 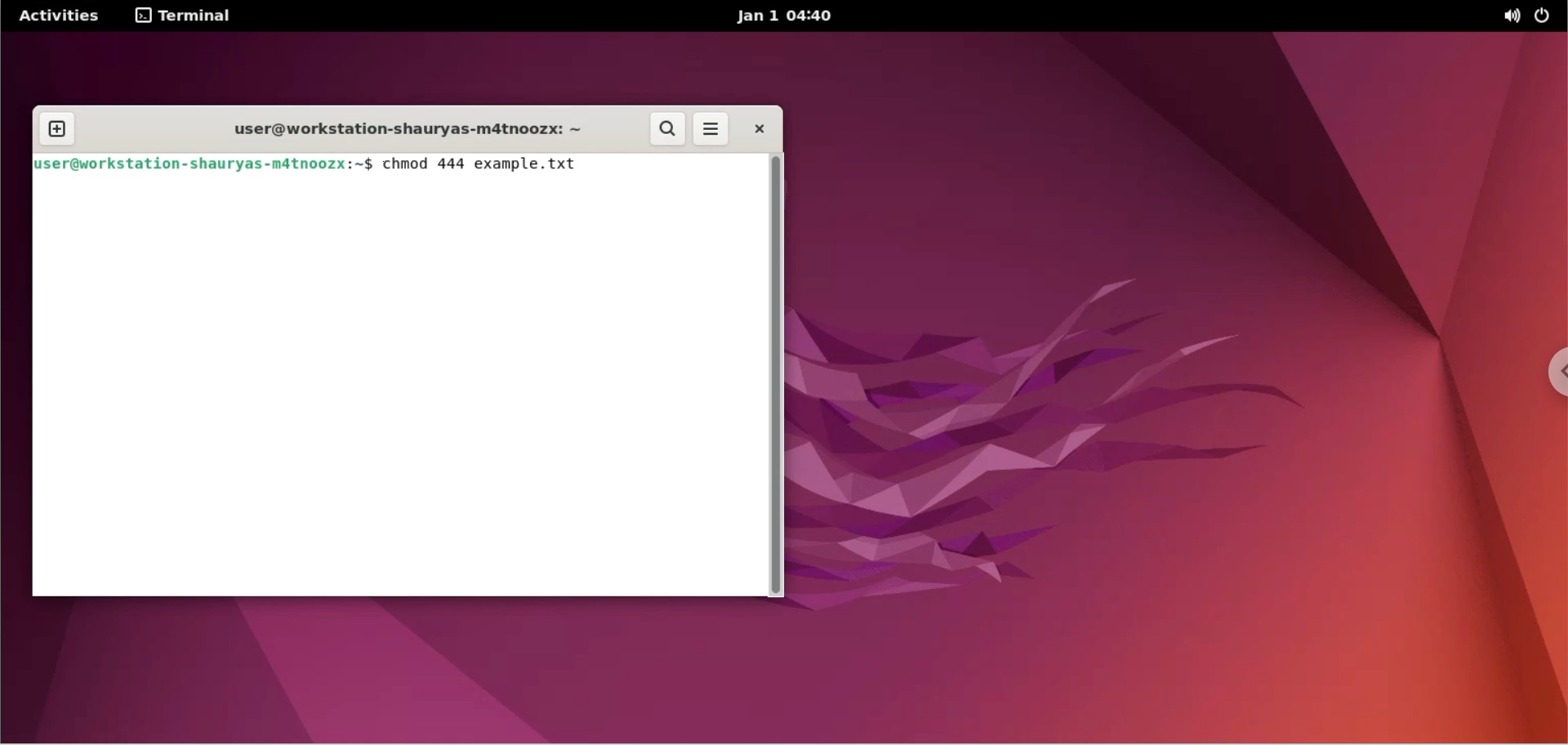 I want to click on fJuser@workstation-shauryas-mdtnoozx:~$ chmod 444 example.txt, so click(x=313, y=164).